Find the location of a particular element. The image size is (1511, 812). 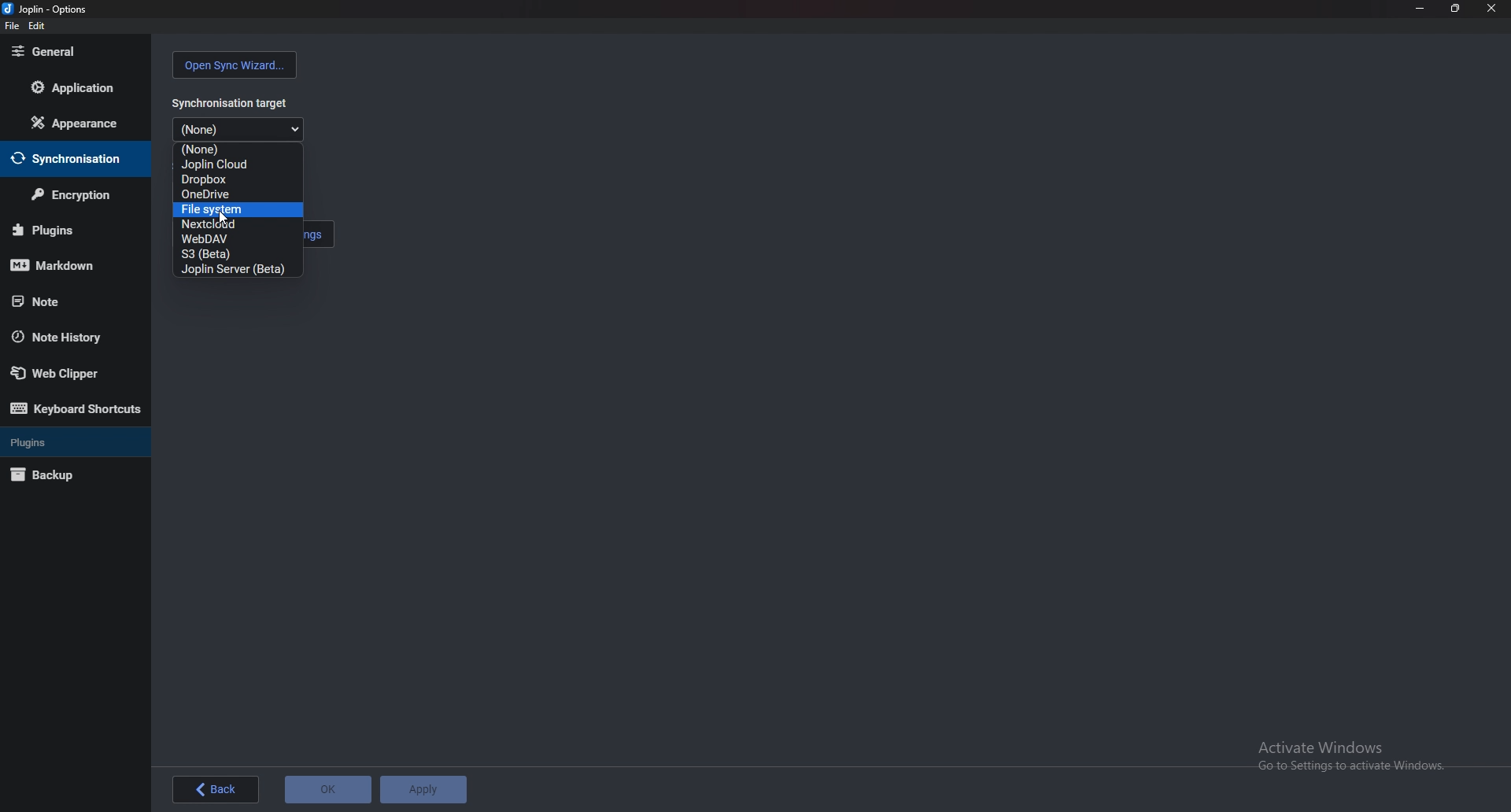

Web D a V is located at coordinates (239, 239).